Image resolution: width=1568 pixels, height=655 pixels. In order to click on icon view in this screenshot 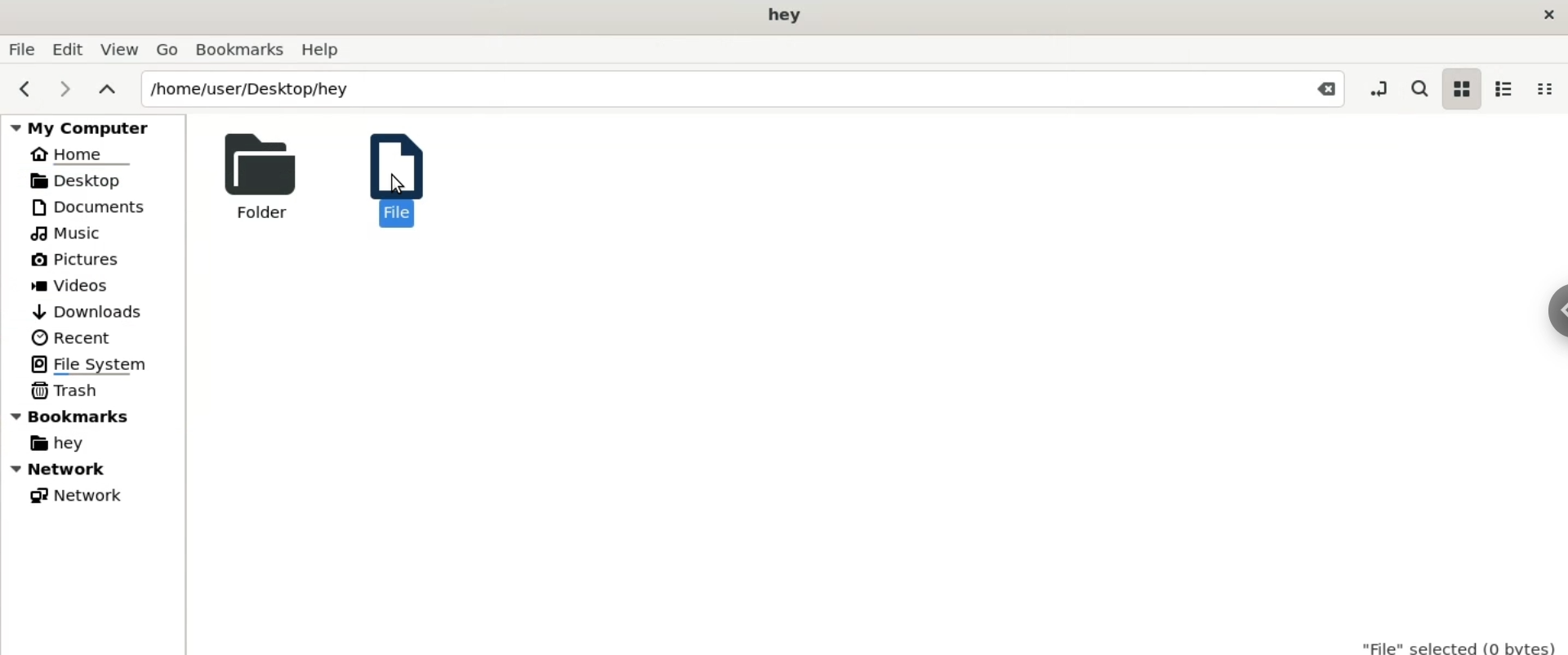, I will do `click(1460, 90)`.